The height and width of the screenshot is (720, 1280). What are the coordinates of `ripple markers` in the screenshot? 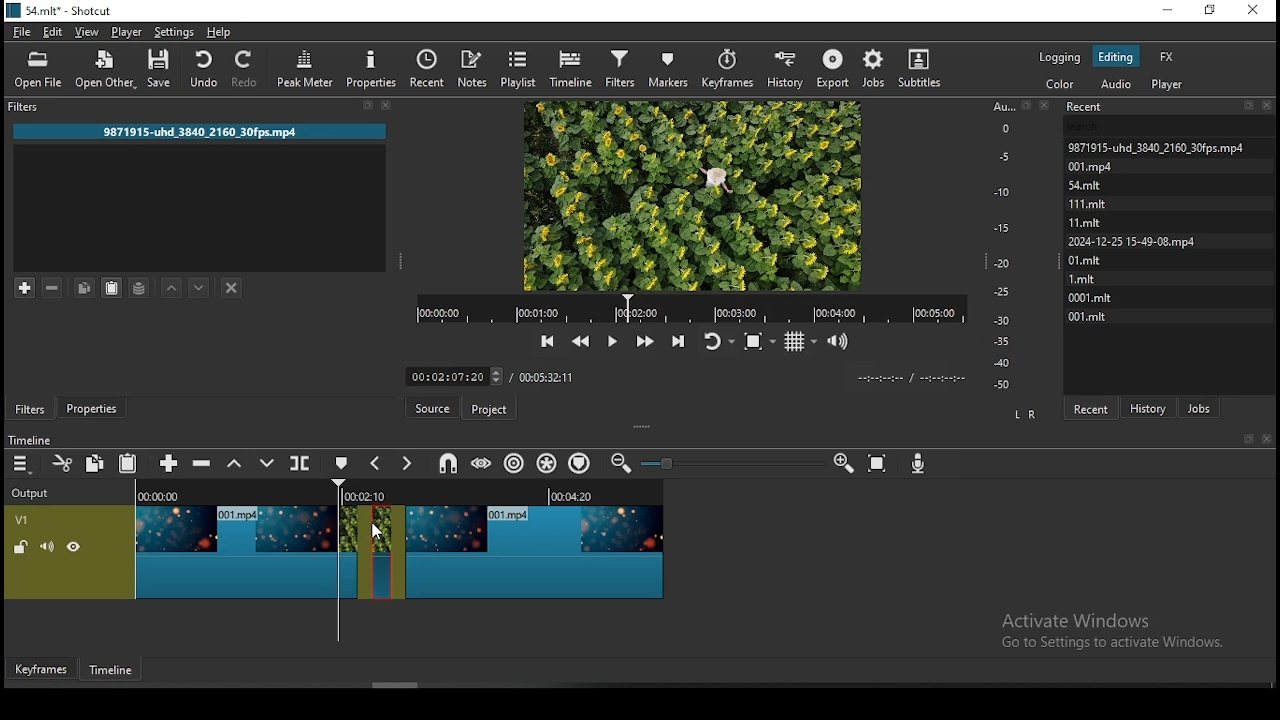 It's located at (579, 462).